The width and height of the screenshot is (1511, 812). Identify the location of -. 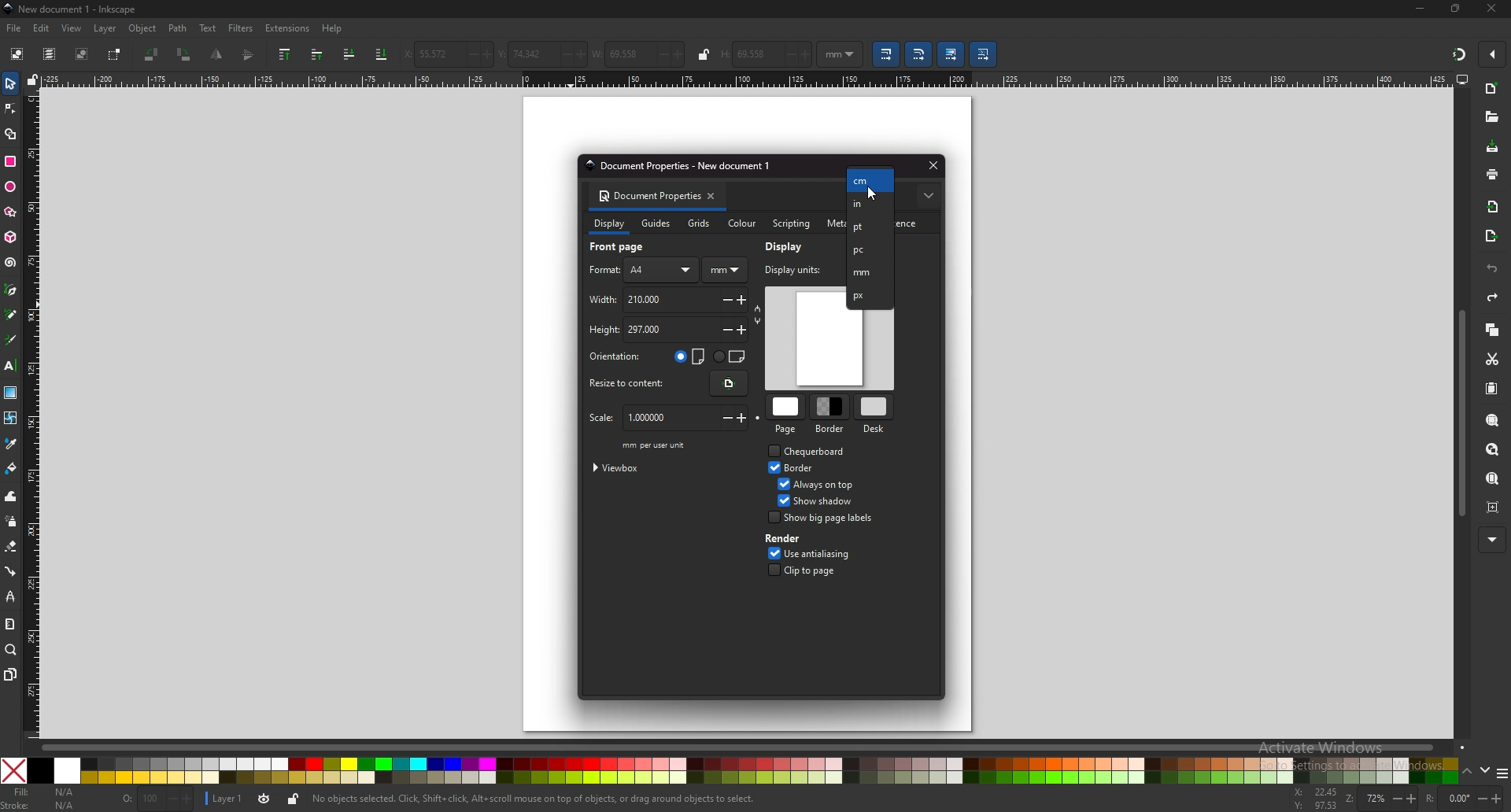
(722, 419).